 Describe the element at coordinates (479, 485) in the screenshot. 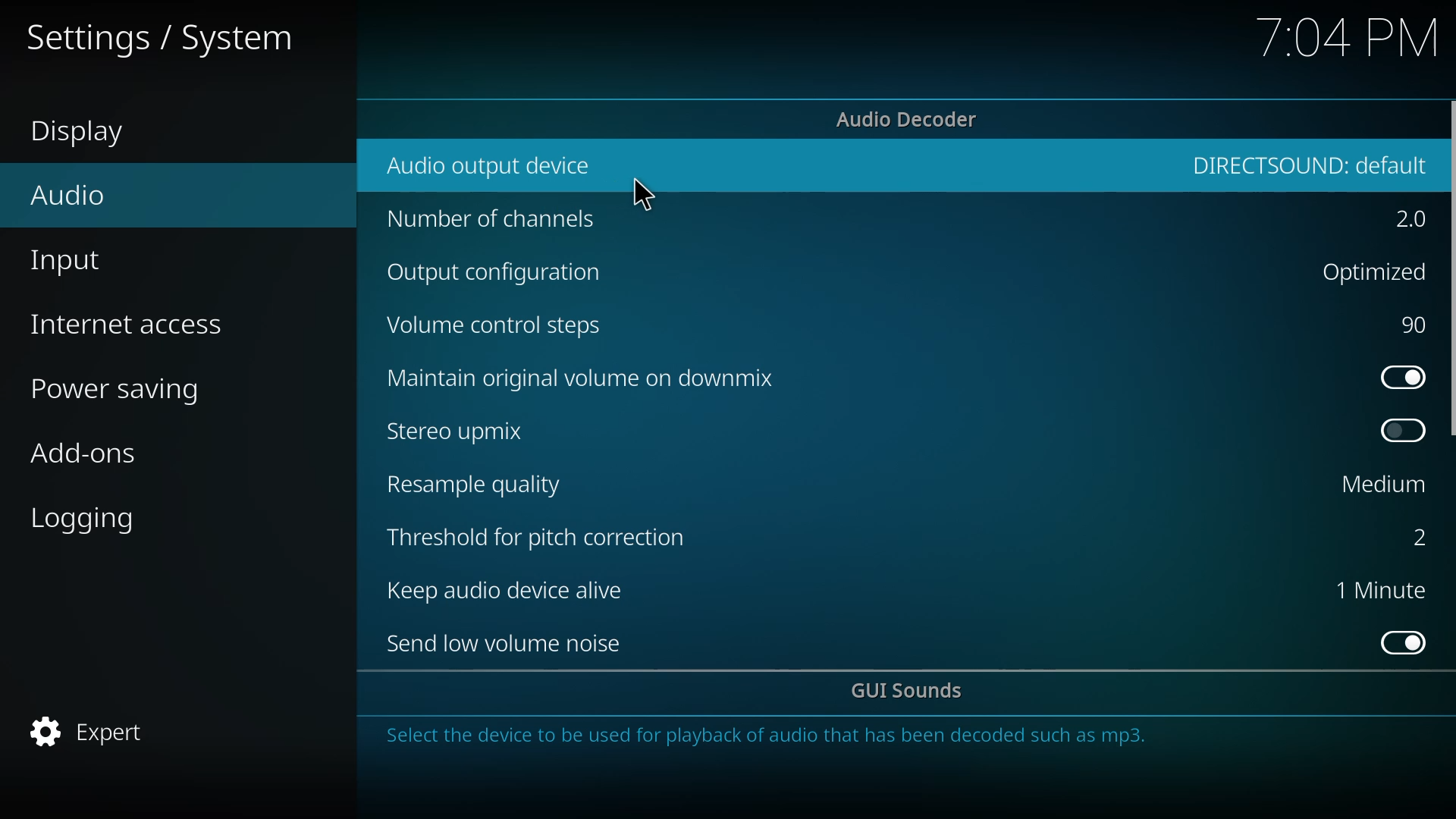

I see `resample quality` at that location.